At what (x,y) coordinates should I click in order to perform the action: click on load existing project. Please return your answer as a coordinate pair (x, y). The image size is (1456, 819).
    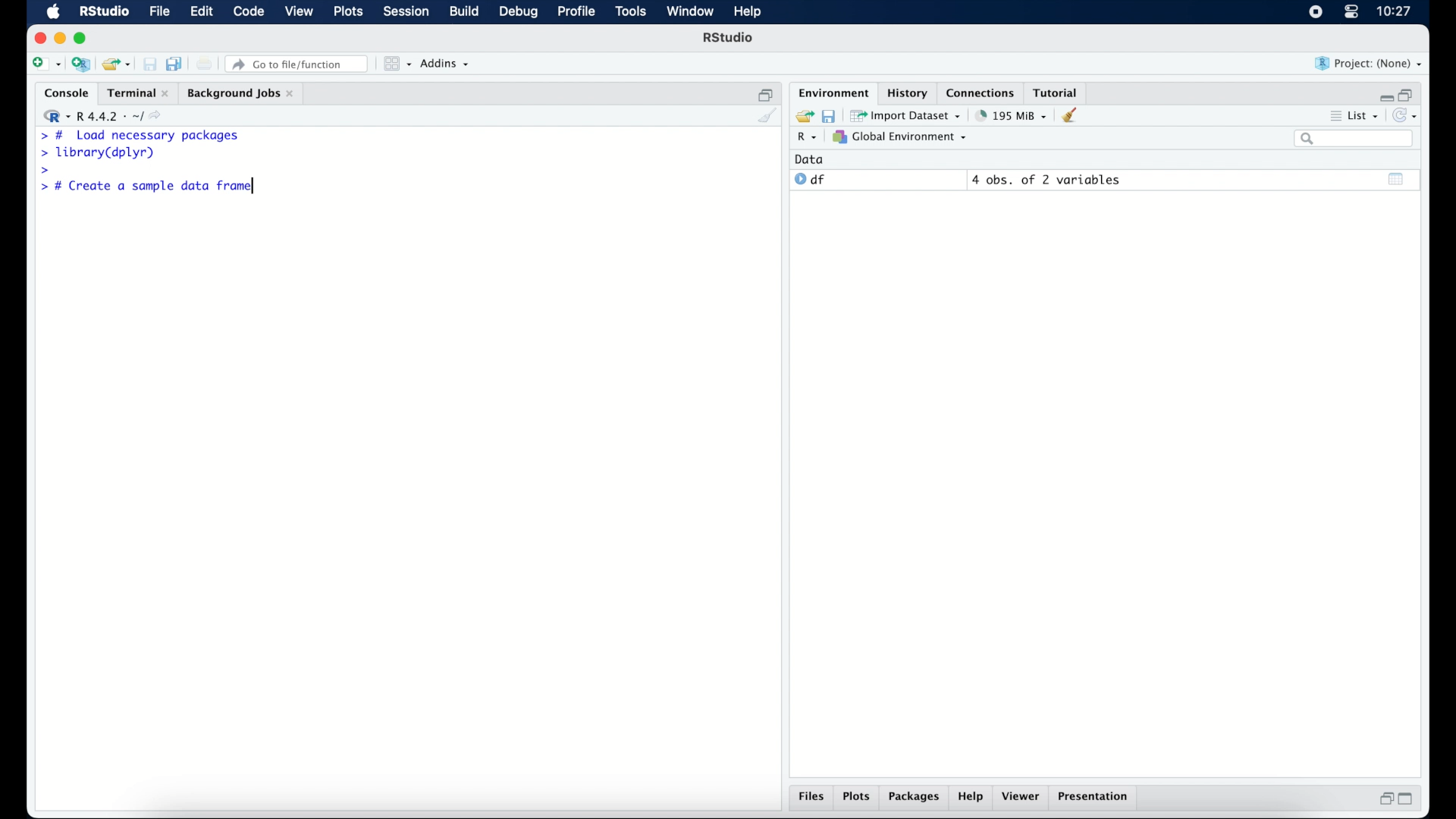
    Looking at the image, I should click on (115, 64).